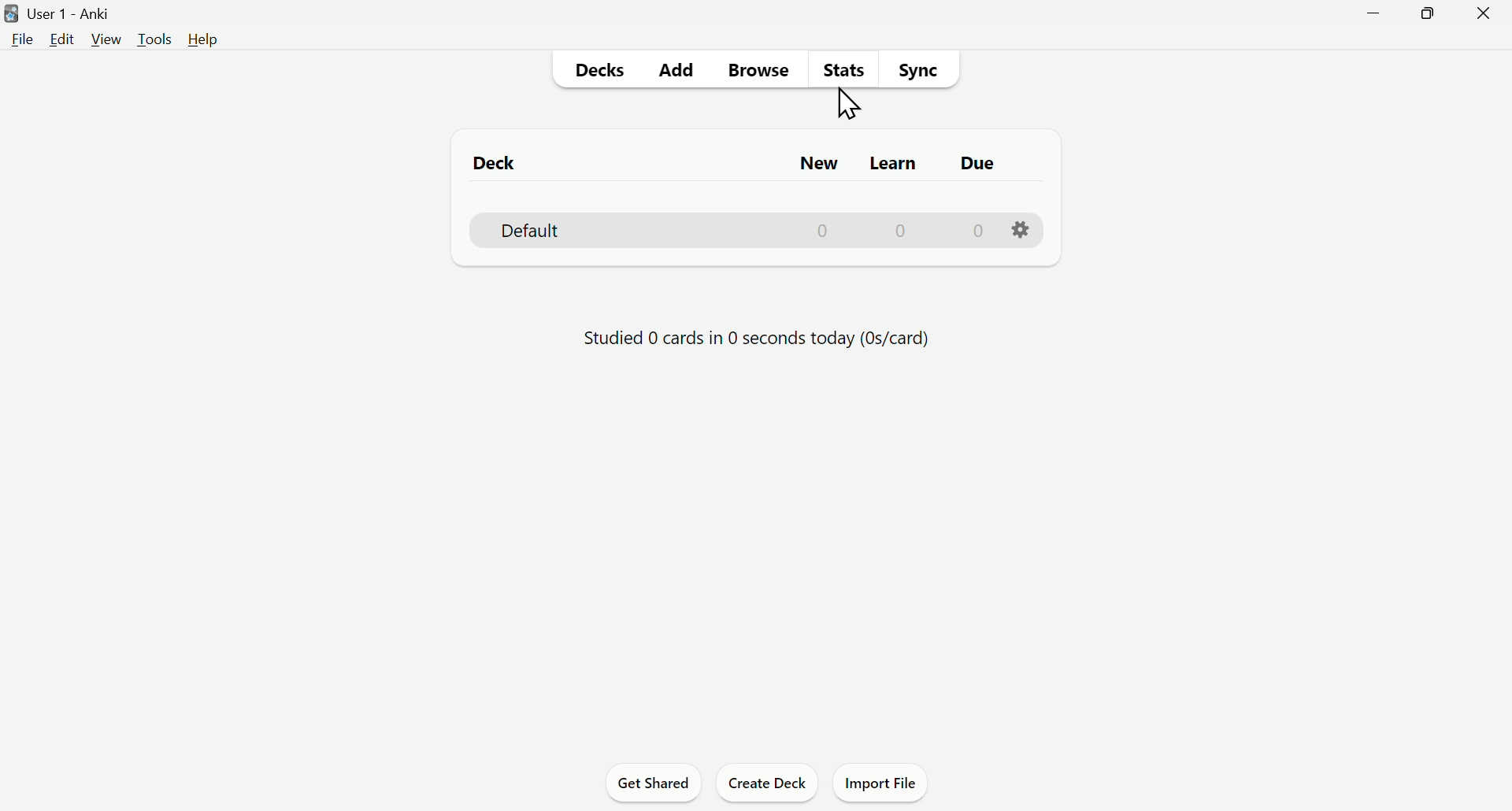 The width and height of the screenshot is (1512, 811). Describe the element at coordinates (651, 783) in the screenshot. I see `Get Shared` at that location.